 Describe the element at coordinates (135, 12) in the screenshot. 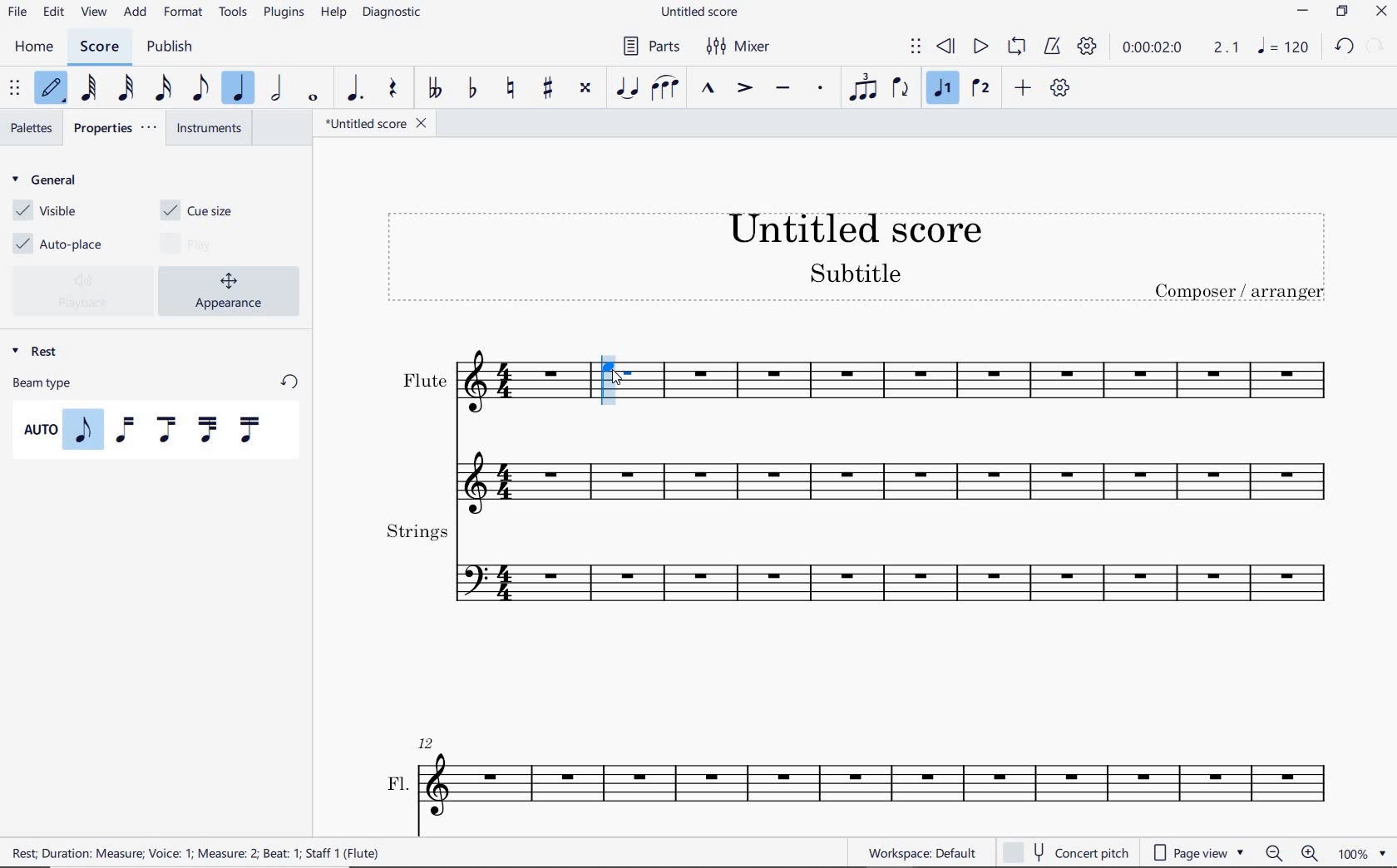

I see `ADD` at that location.